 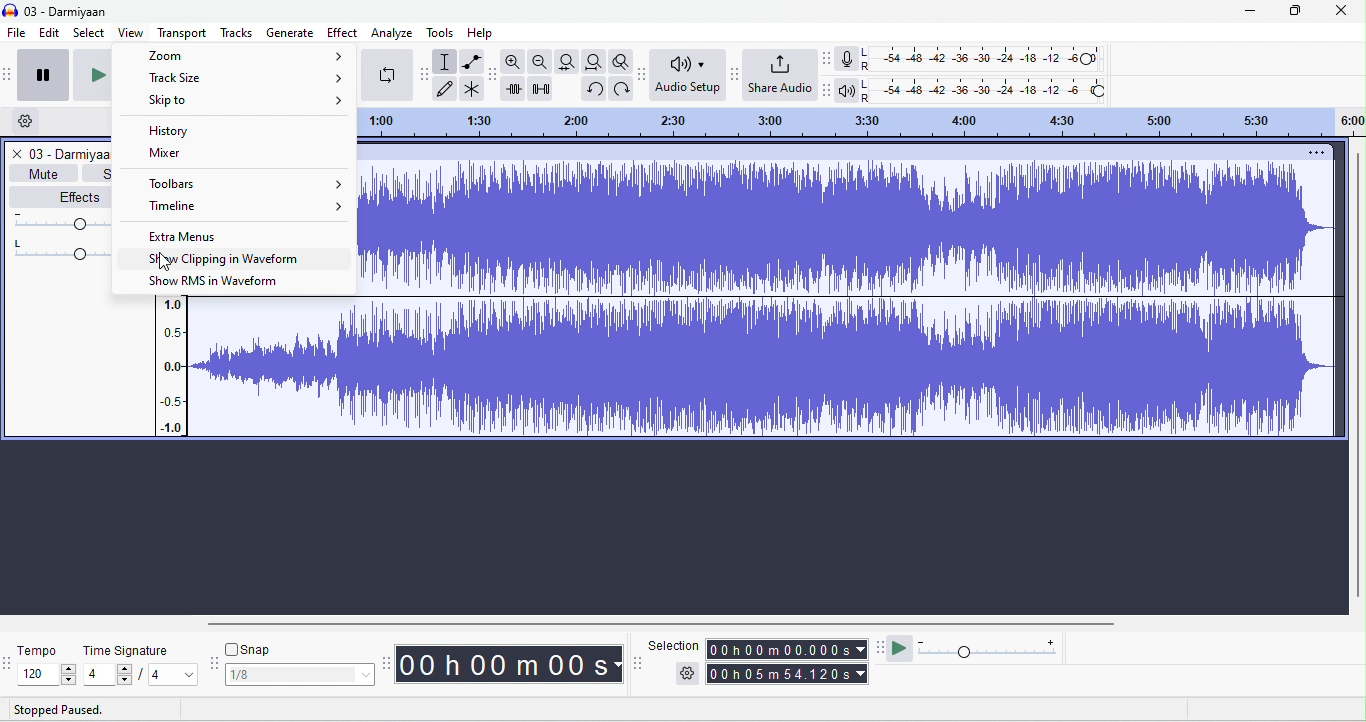 I want to click on L, so click(x=867, y=85).